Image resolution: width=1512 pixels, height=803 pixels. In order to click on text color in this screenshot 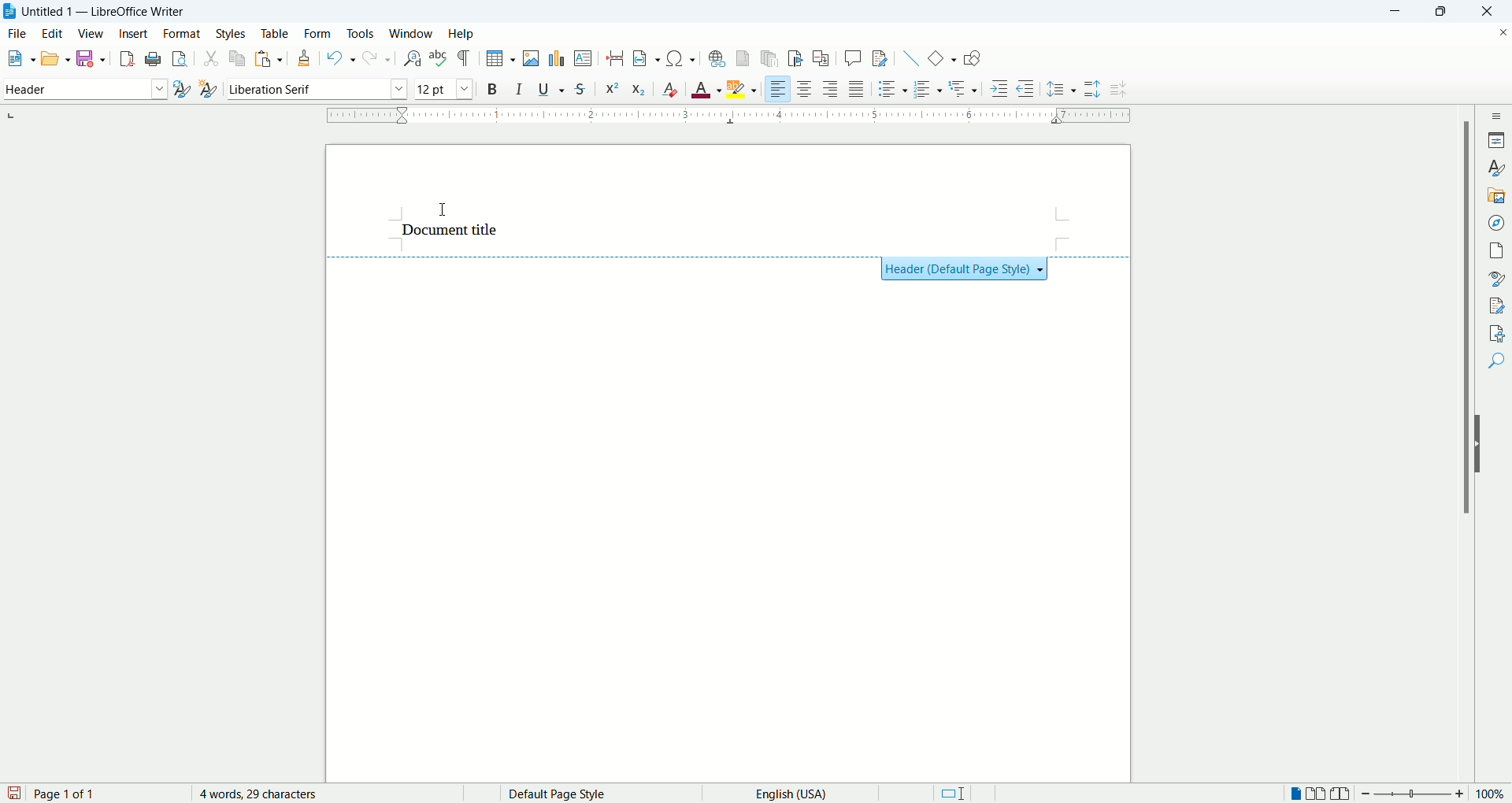, I will do `click(706, 87)`.